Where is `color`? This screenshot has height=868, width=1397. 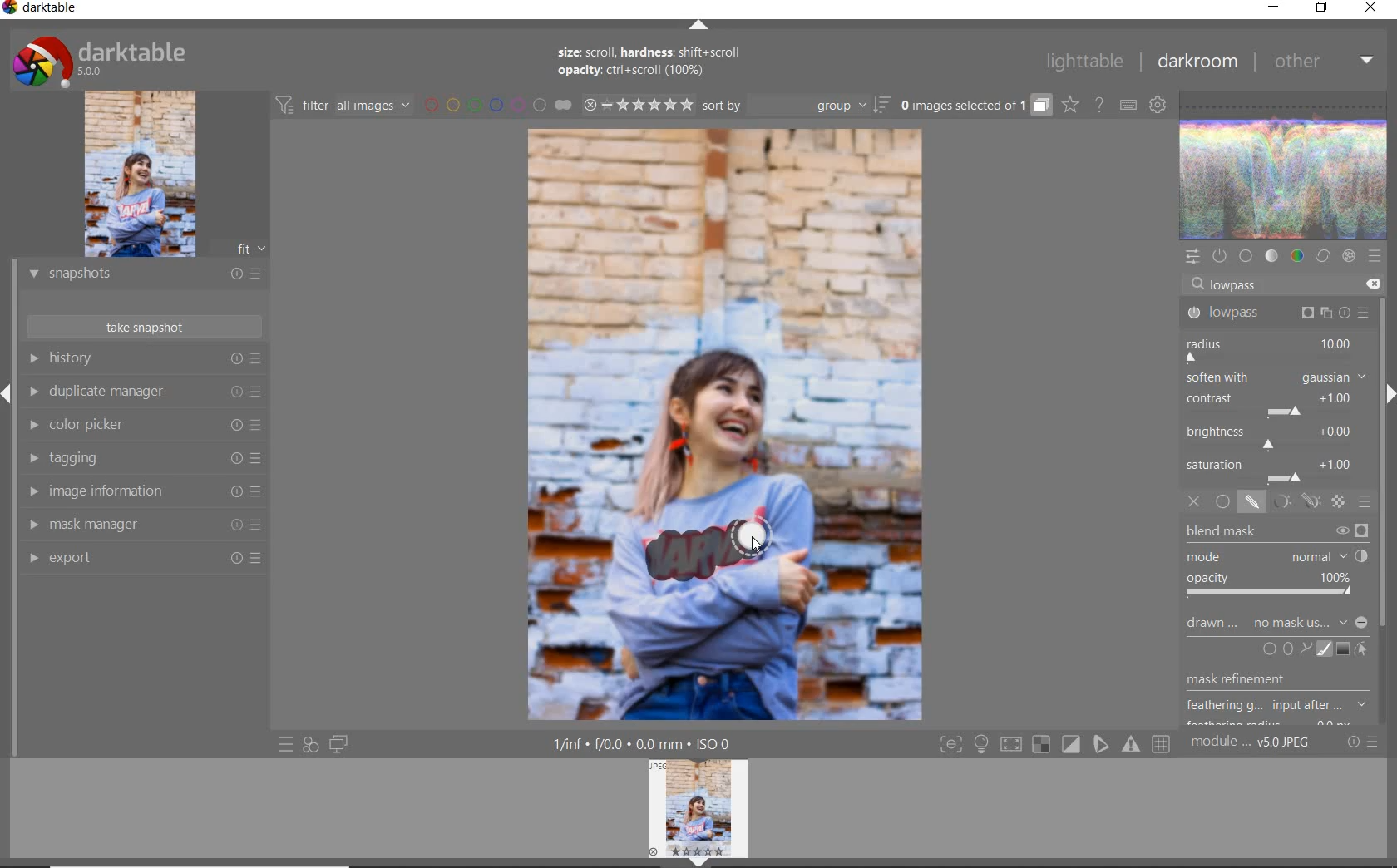
color is located at coordinates (1296, 257).